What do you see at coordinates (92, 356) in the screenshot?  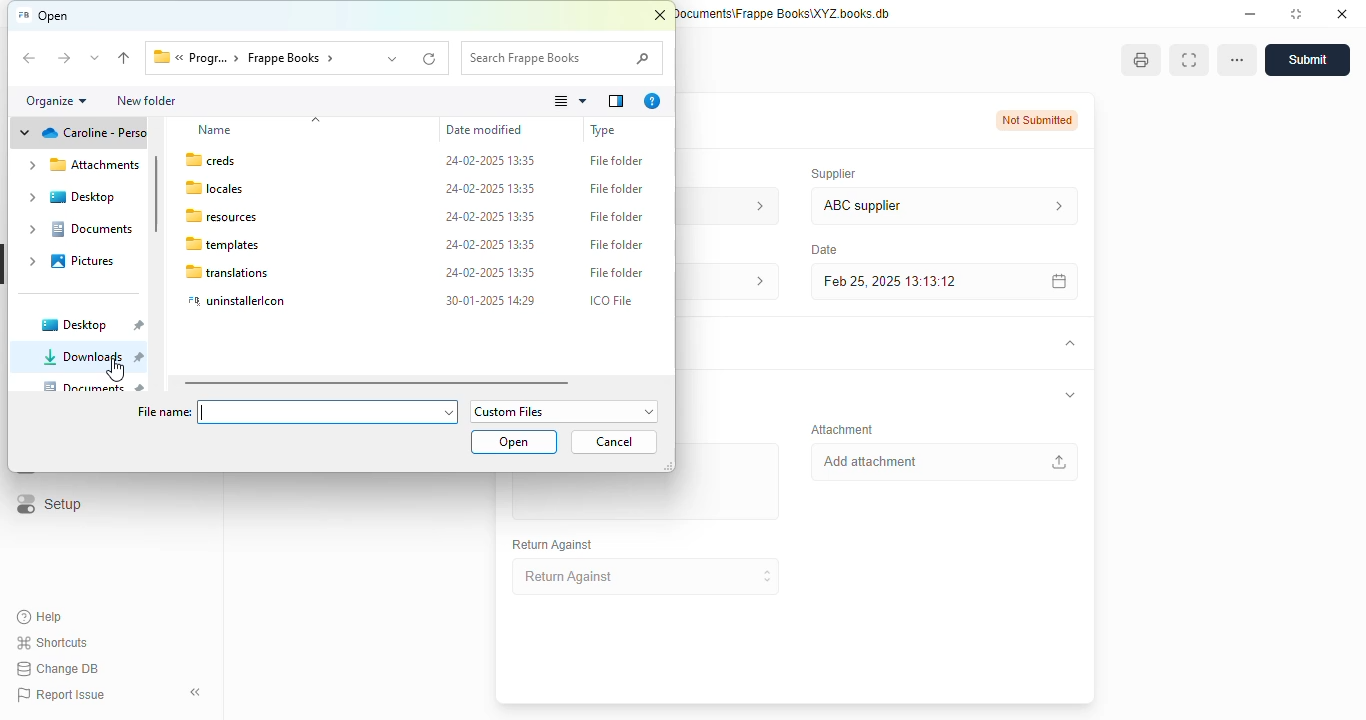 I see `downloads` at bounding box center [92, 356].